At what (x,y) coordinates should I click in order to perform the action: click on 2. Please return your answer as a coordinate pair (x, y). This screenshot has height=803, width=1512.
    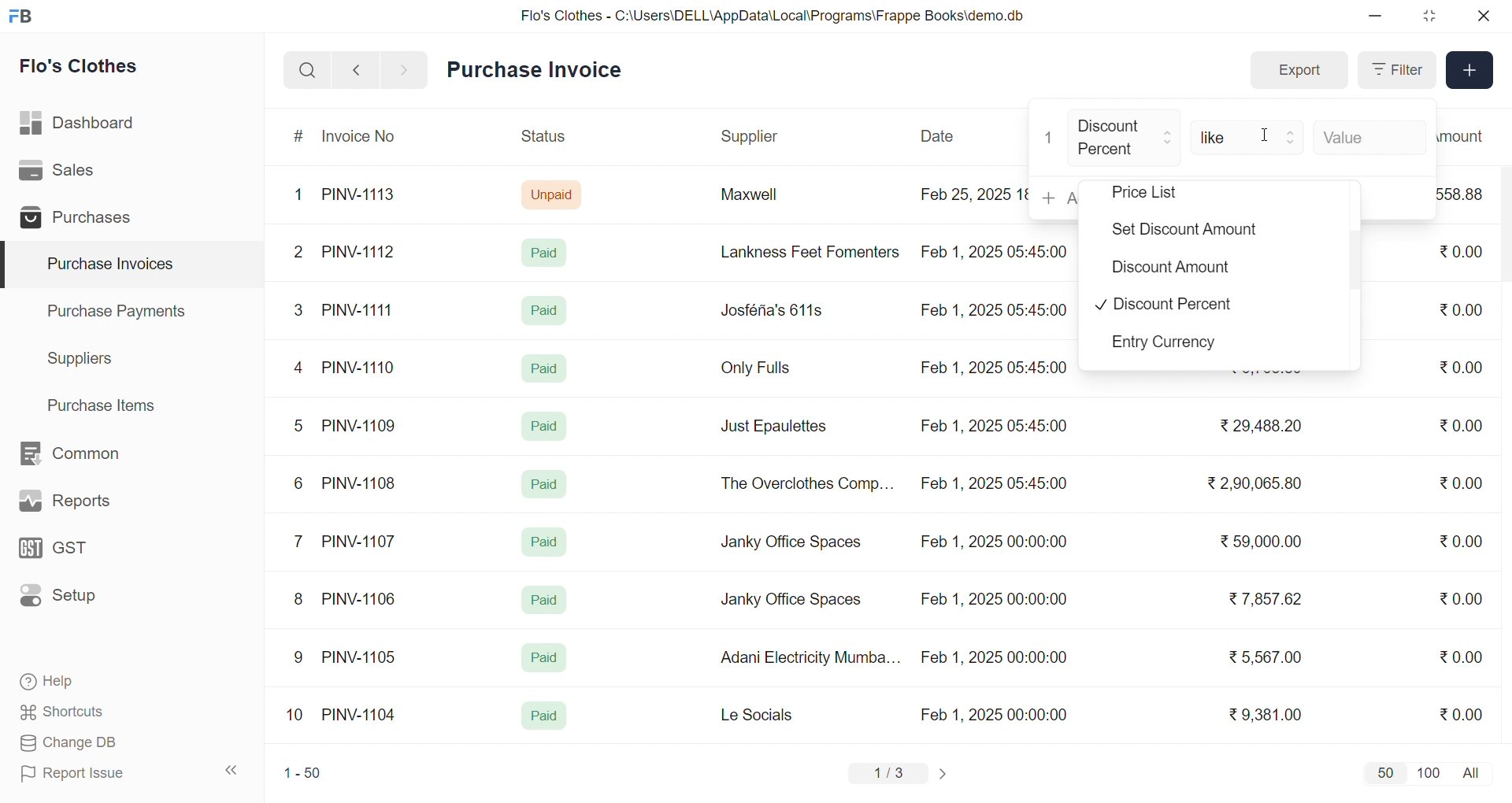
    Looking at the image, I should click on (301, 254).